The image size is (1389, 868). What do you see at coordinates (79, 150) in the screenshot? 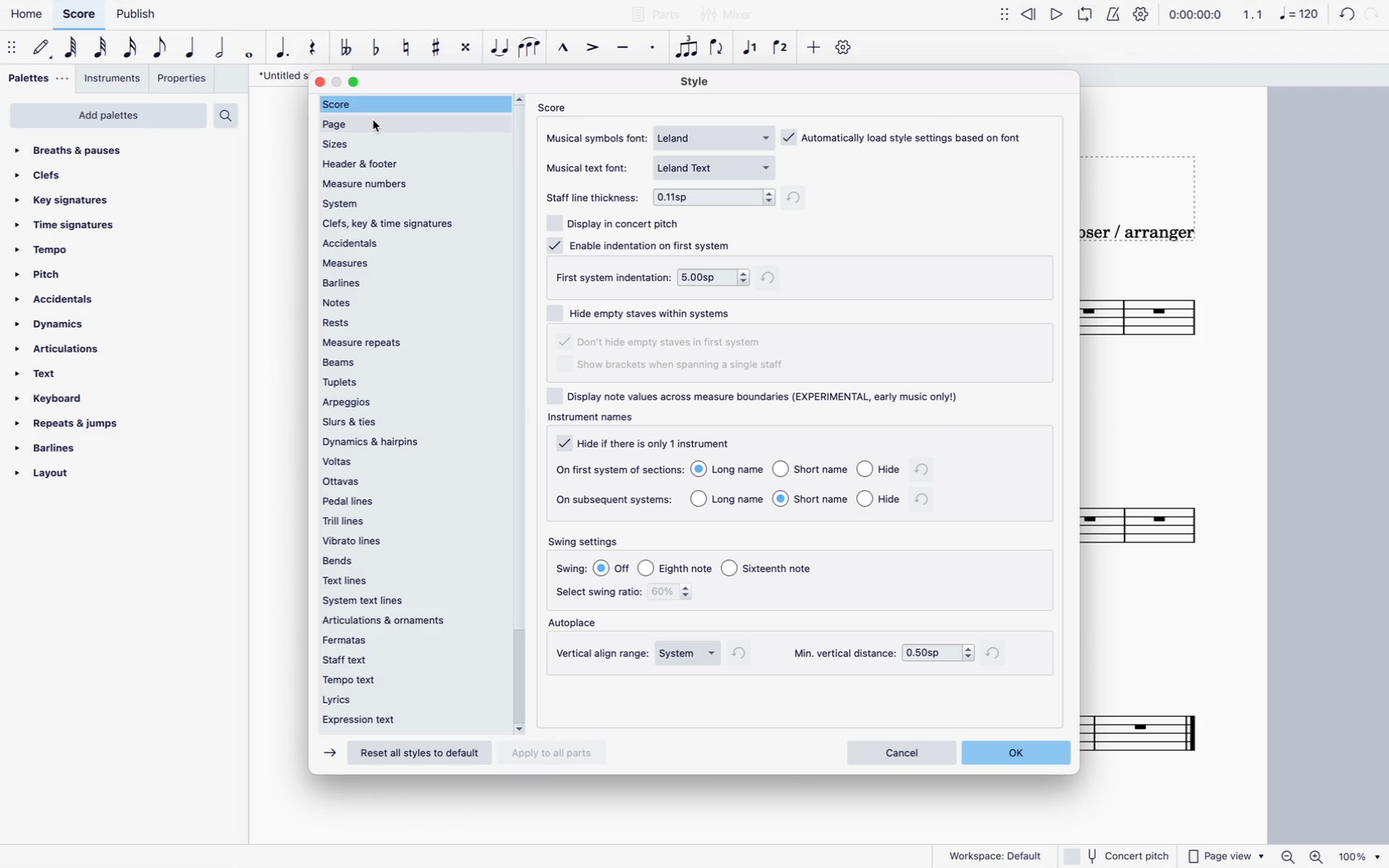
I see `breaths & pauses` at bounding box center [79, 150].